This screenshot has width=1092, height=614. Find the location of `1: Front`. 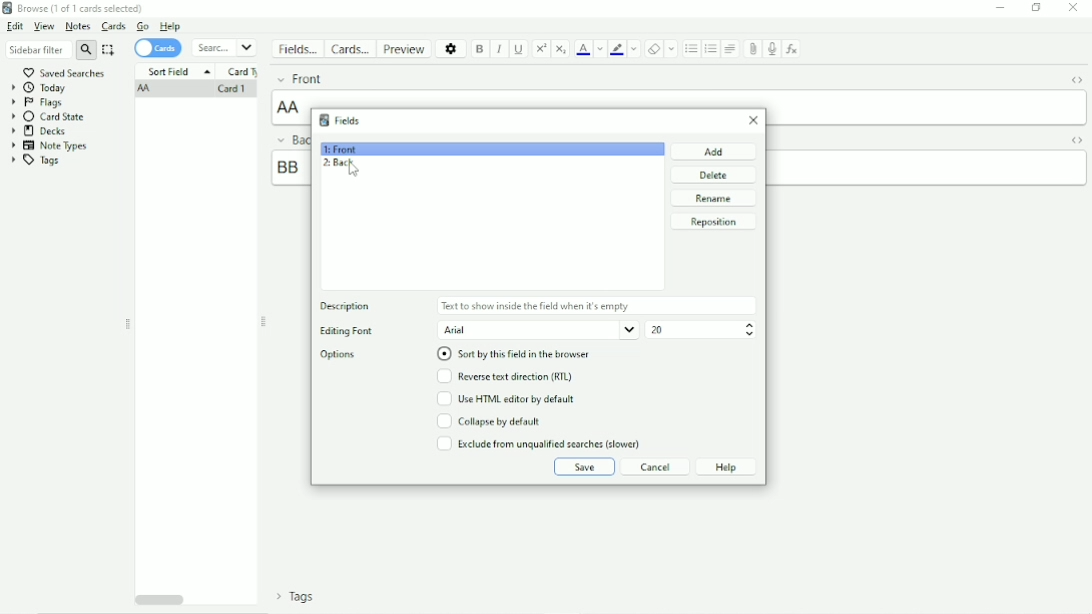

1: Front is located at coordinates (340, 149).